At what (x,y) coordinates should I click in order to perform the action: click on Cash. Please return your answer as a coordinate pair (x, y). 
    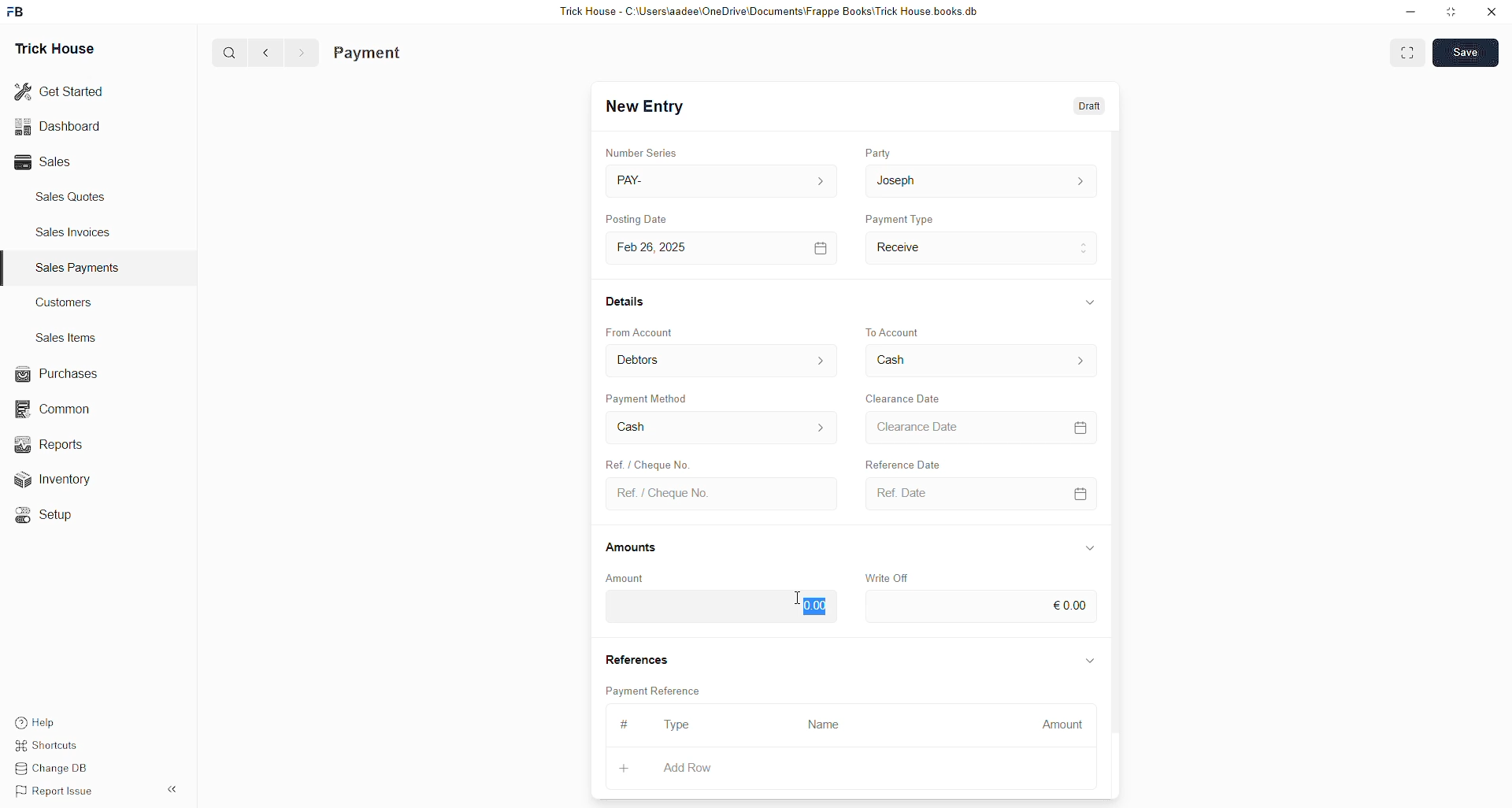
    Looking at the image, I should click on (722, 428).